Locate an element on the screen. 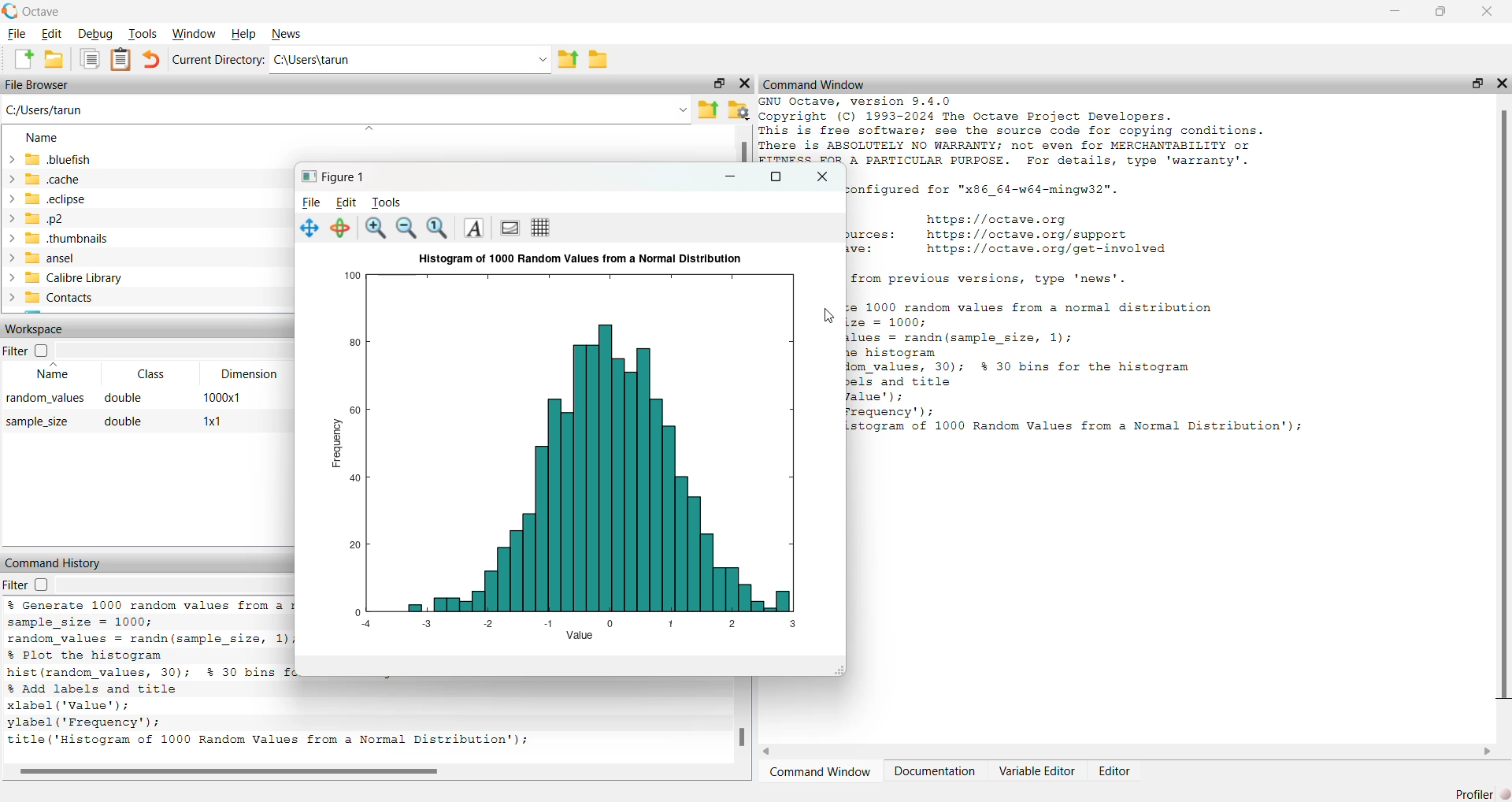 The height and width of the screenshot is (802, 1512). dropdown is located at coordinates (539, 61).